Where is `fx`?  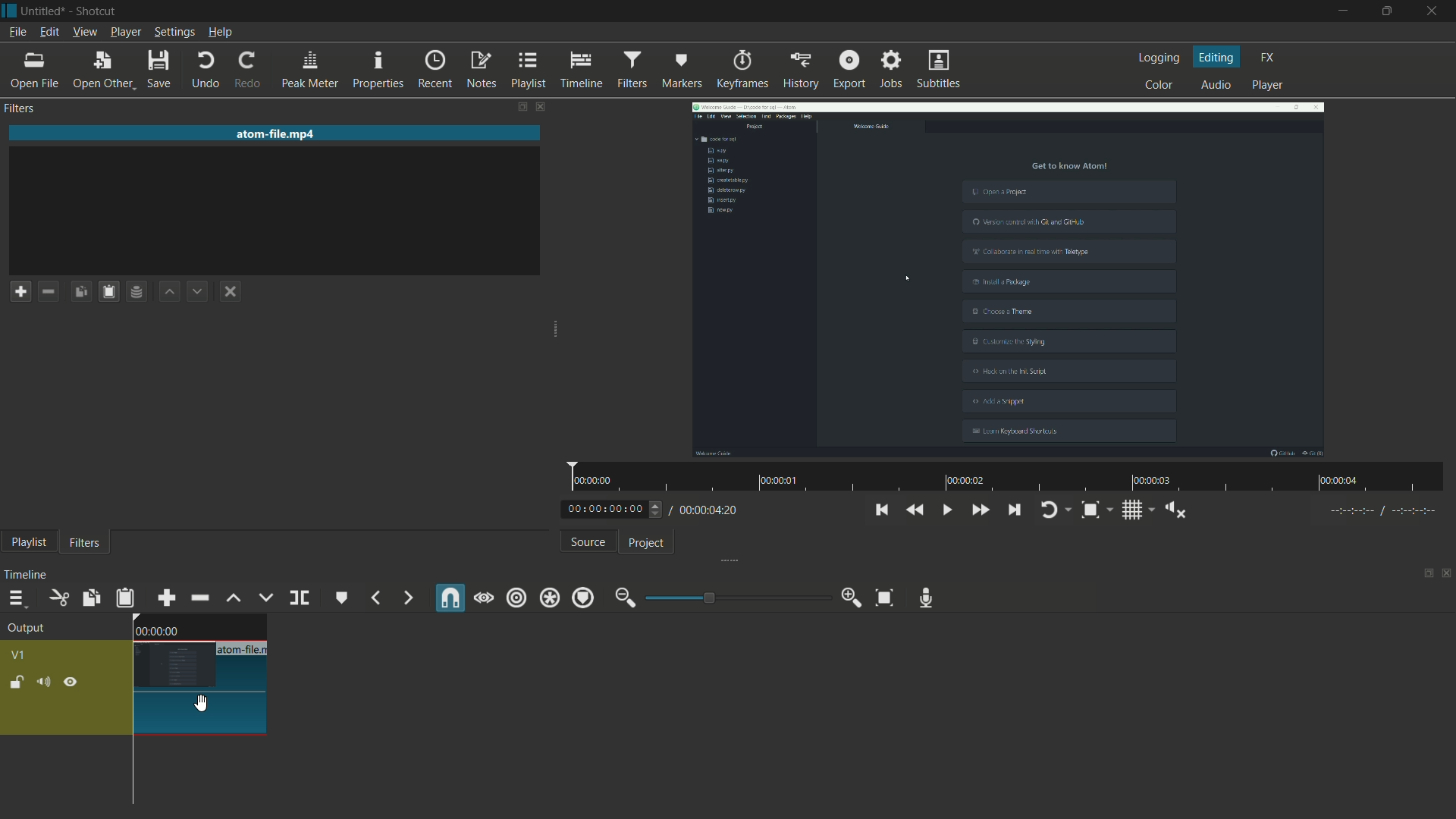
fx is located at coordinates (1267, 58).